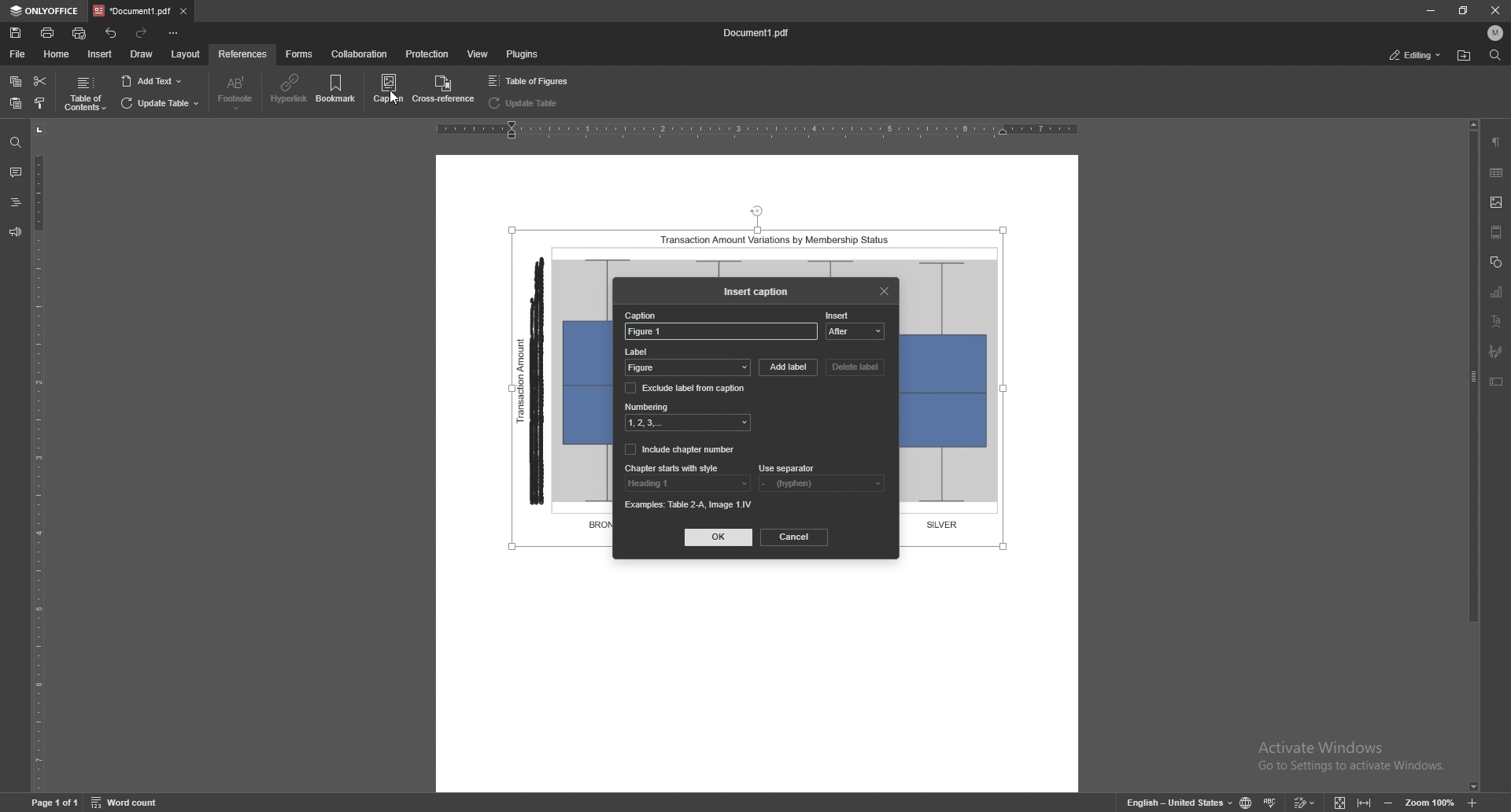 Image resolution: width=1511 pixels, height=812 pixels. Describe the element at coordinates (16, 202) in the screenshot. I see `headings` at that location.